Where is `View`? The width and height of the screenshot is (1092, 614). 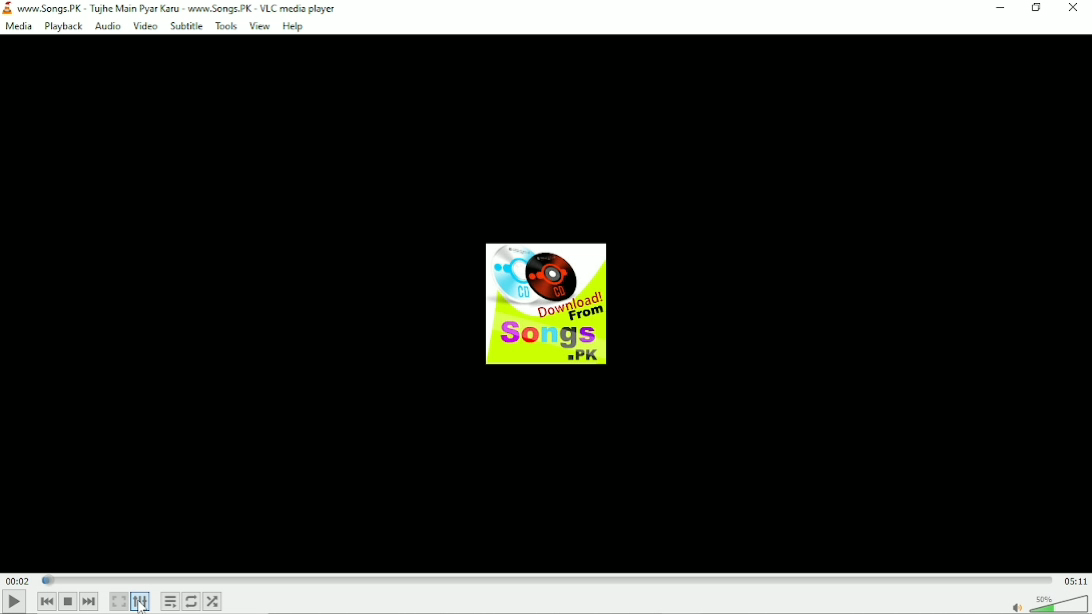
View is located at coordinates (260, 27).